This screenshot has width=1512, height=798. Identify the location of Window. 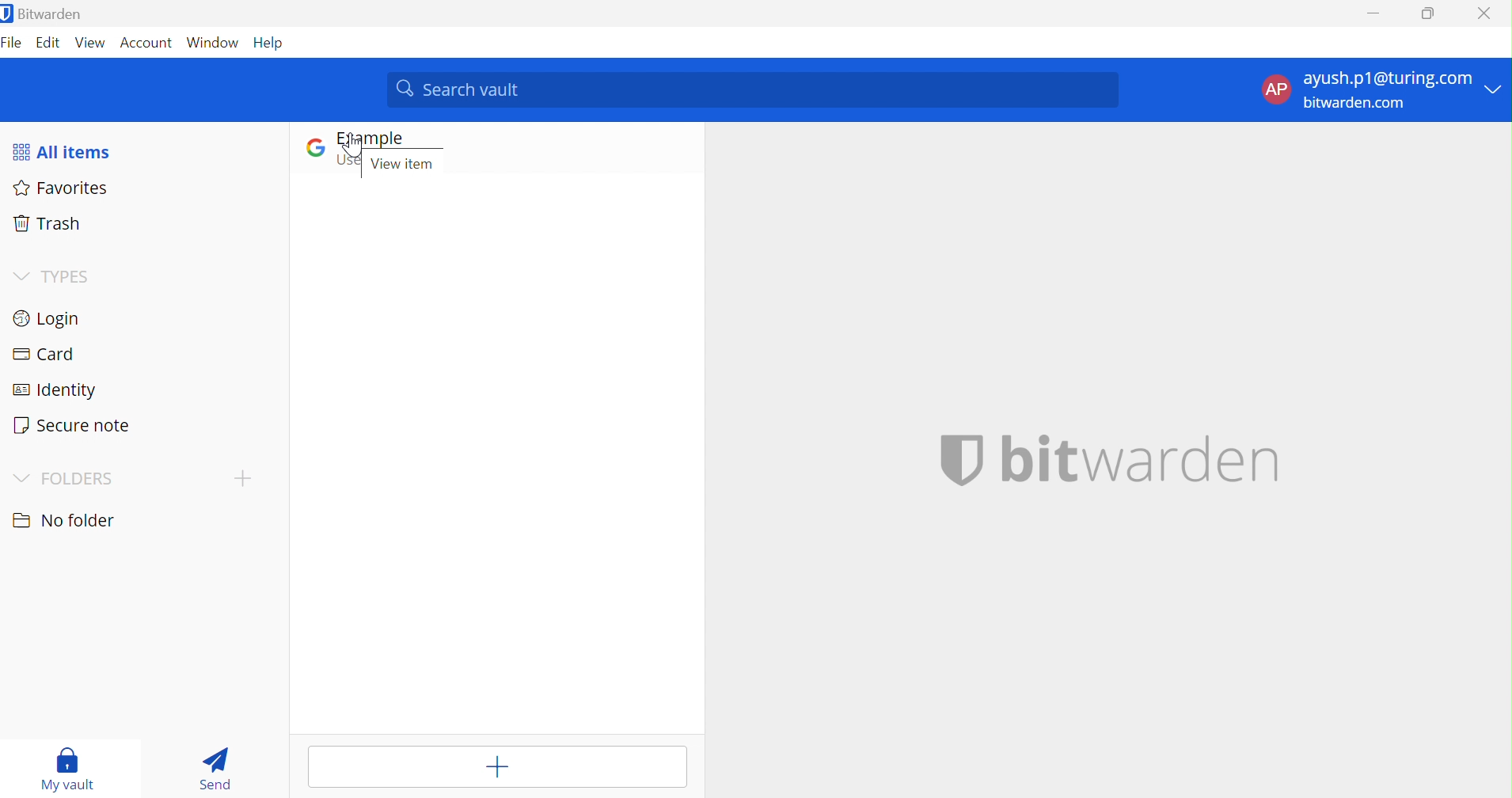
(213, 42).